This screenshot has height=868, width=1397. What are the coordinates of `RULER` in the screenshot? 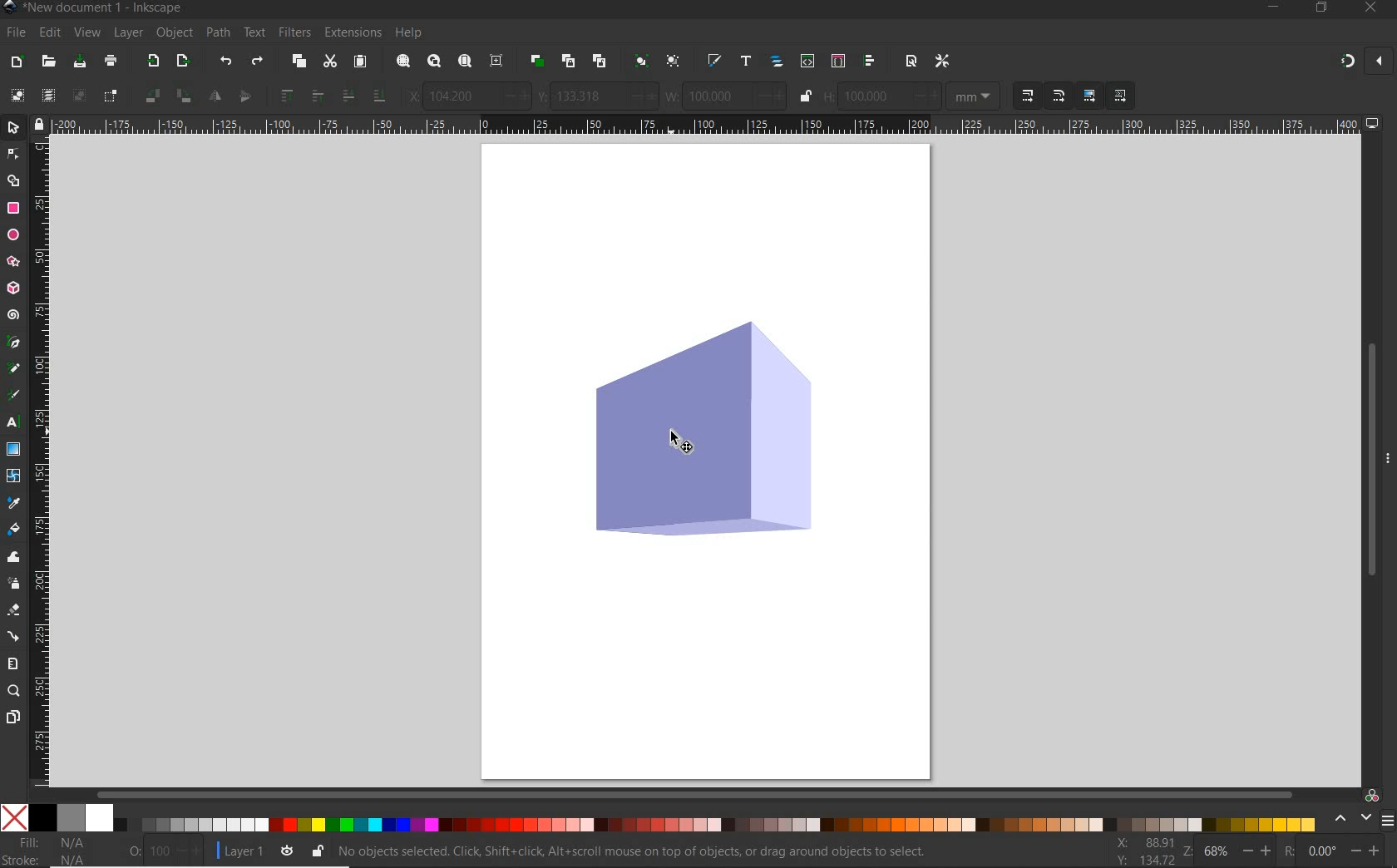 It's located at (41, 461).